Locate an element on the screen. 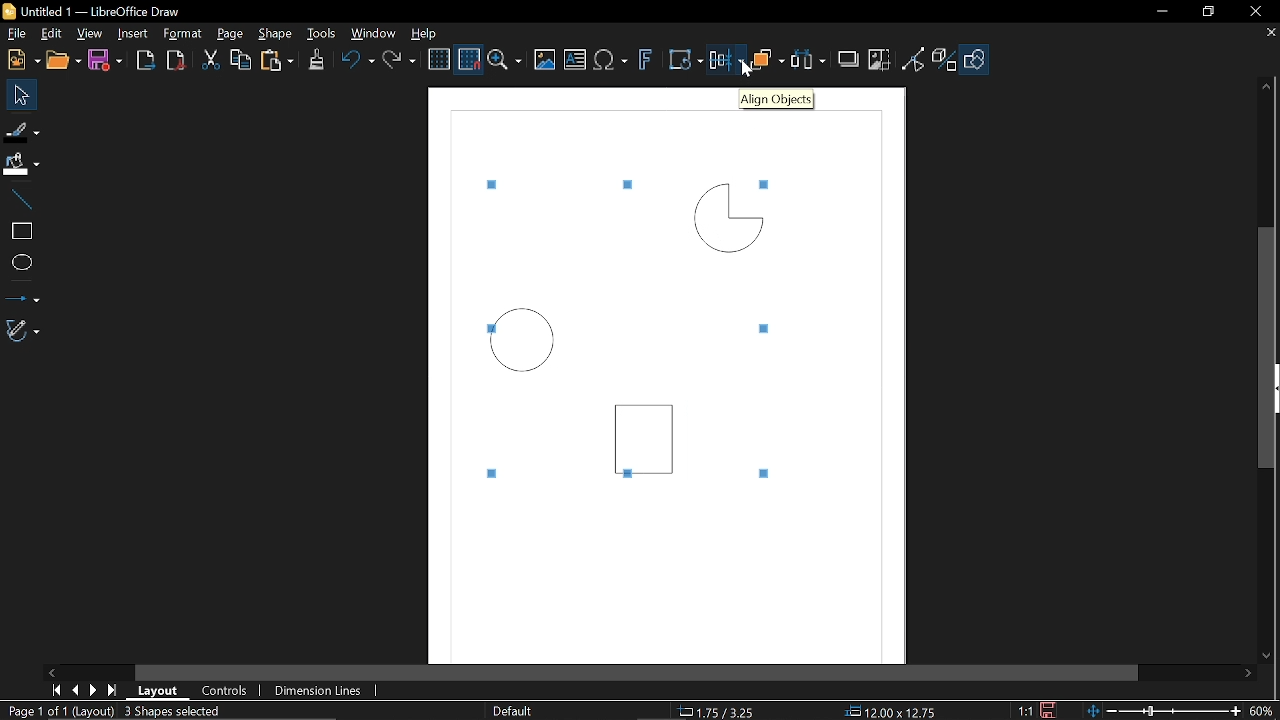 Image resolution: width=1280 pixels, height=720 pixels. Vertical scrollbar is located at coordinates (1266, 346).